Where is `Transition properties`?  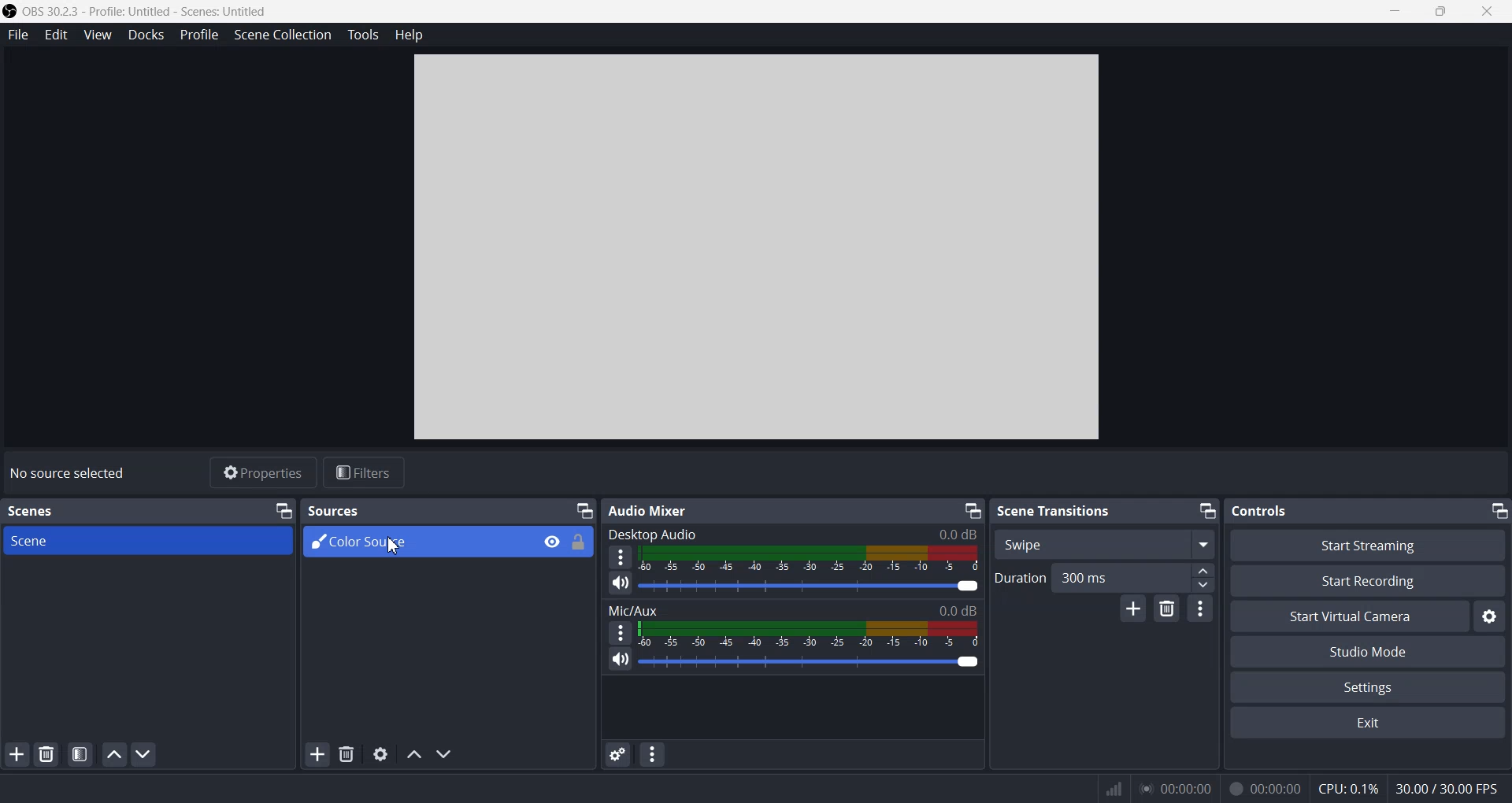
Transition properties is located at coordinates (1200, 608).